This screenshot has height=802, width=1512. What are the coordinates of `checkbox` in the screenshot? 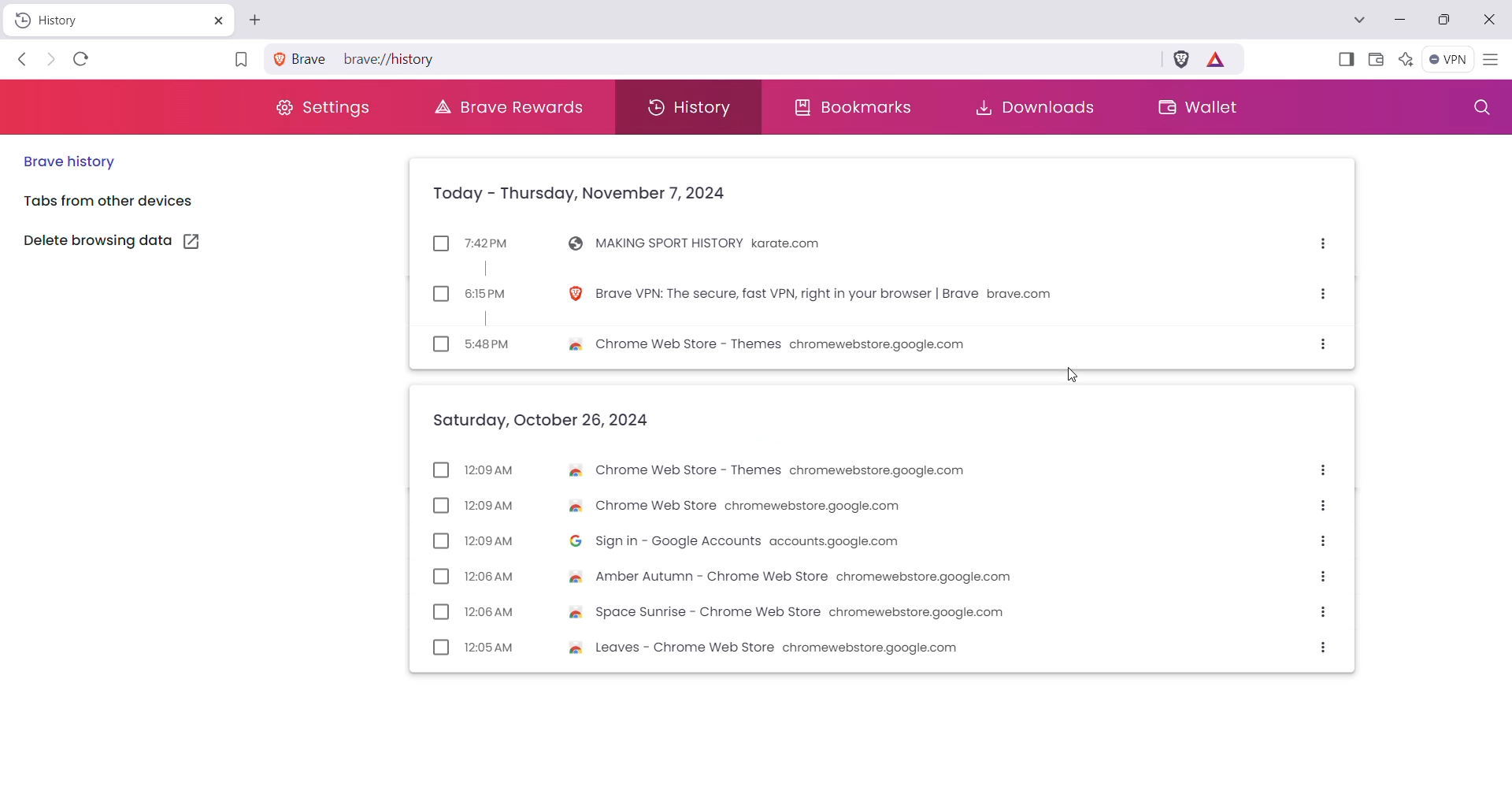 It's located at (439, 345).